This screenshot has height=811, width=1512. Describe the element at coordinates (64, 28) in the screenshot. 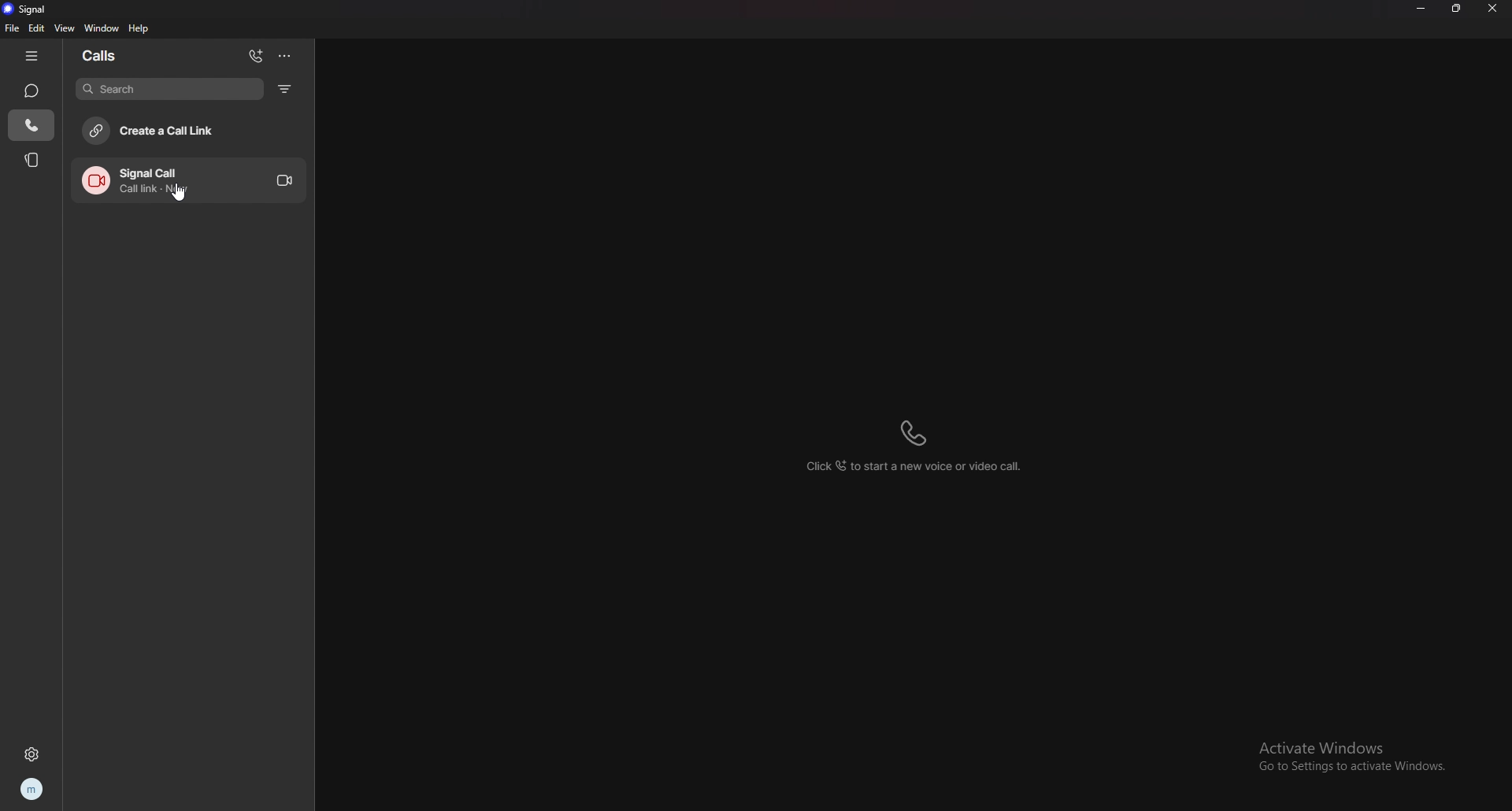

I see `view` at that location.